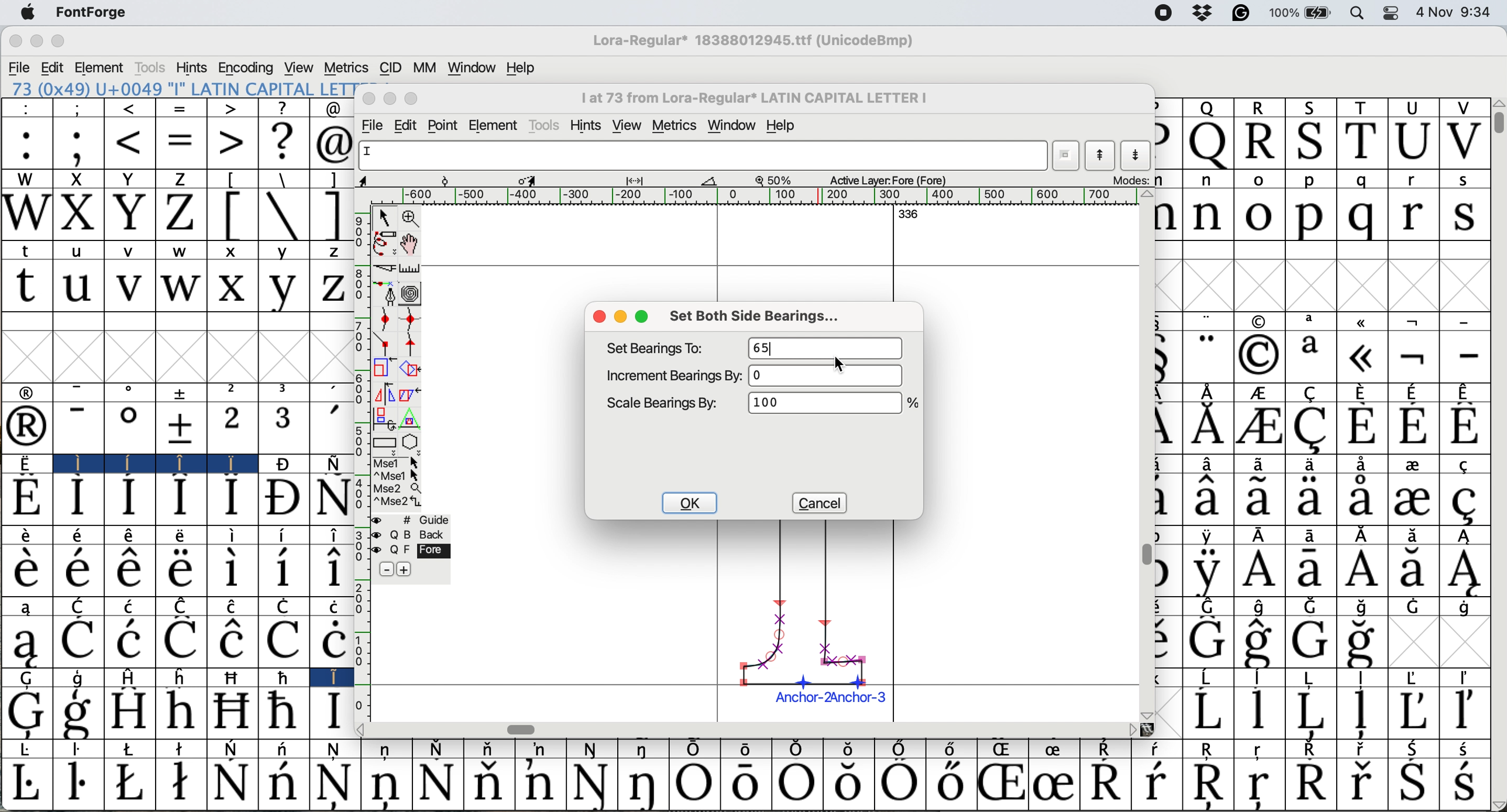  Describe the element at coordinates (1361, 572) in the screenshot. I see `Symbol` at that location.